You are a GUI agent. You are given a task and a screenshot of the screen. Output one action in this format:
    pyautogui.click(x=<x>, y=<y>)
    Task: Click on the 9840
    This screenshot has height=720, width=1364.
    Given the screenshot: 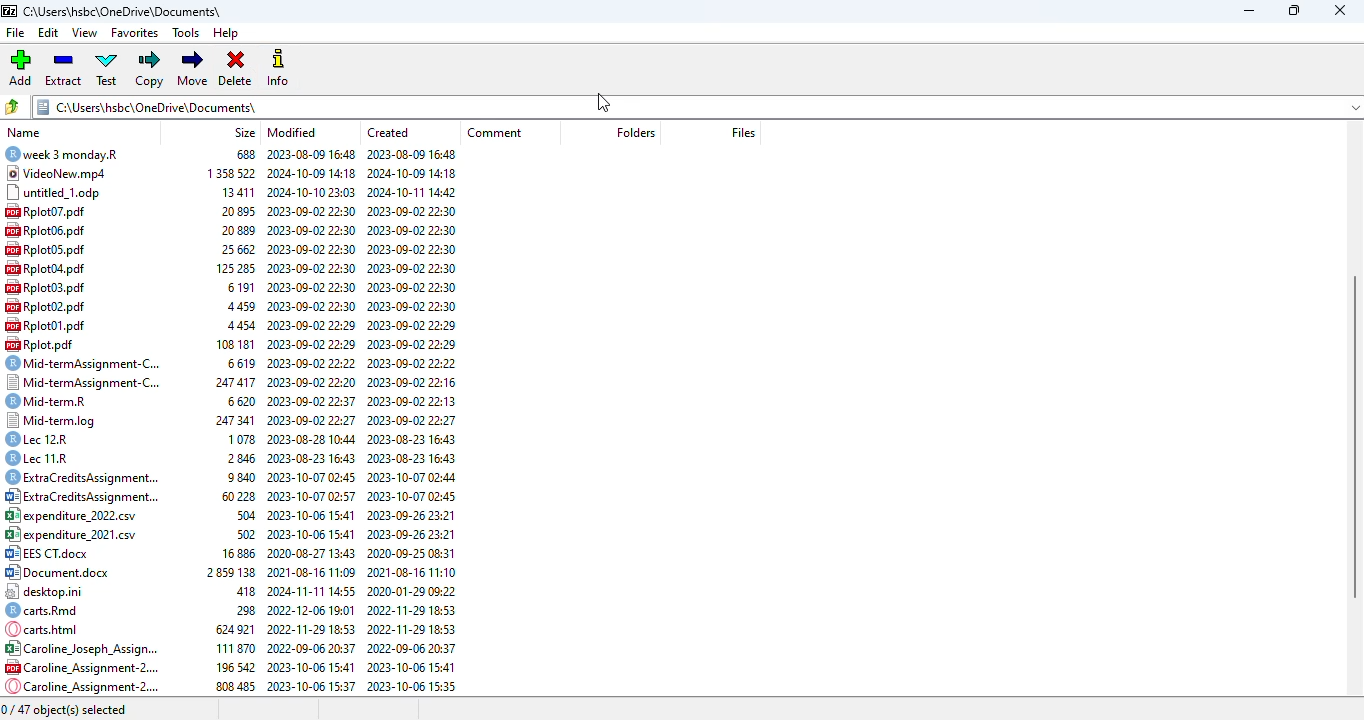 What is the action you would take?
    pyautogui.click(x=240, y=476)
    